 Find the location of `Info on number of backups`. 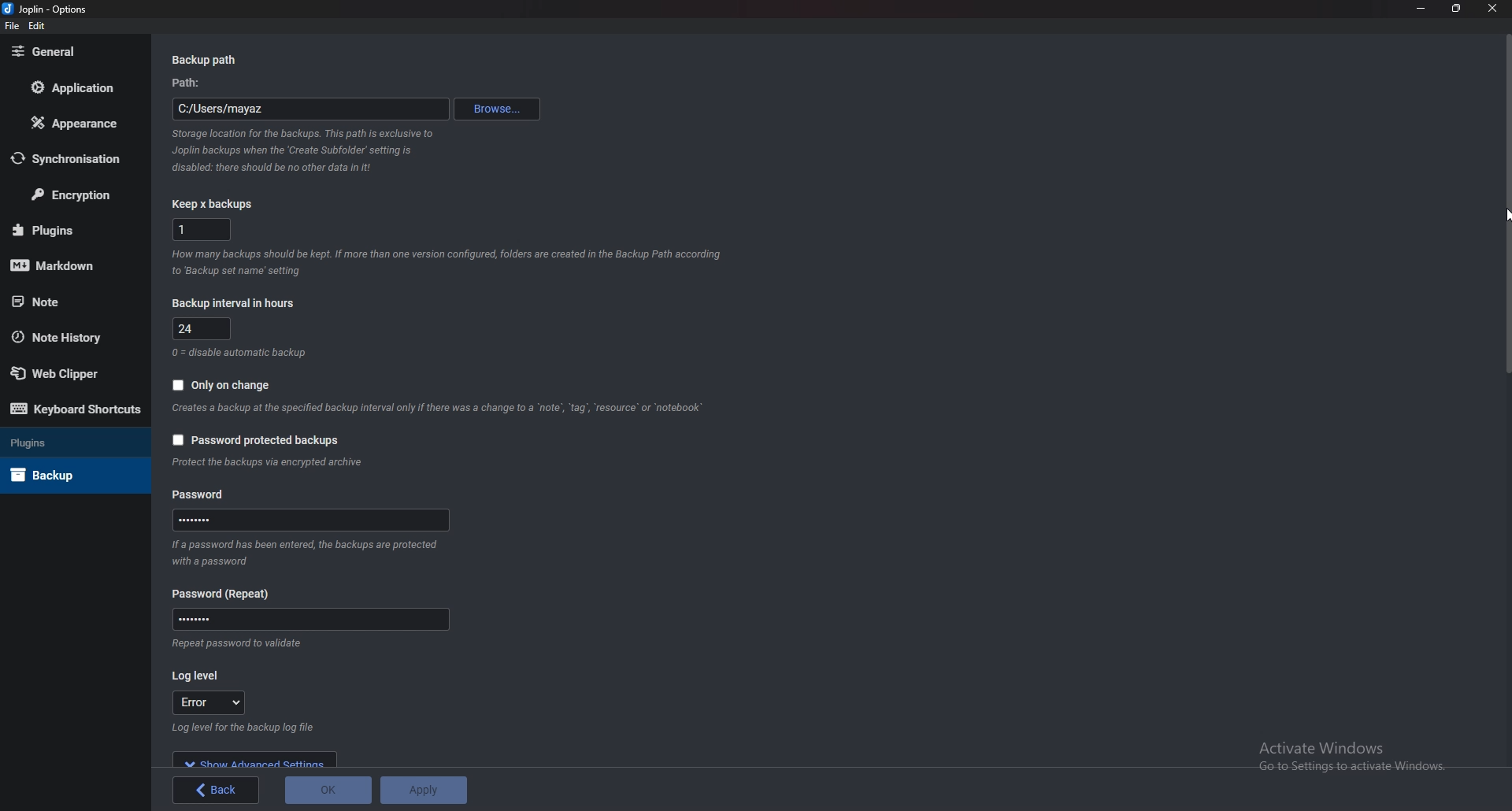

Info on number of backups is located at coordinates (449, 262).